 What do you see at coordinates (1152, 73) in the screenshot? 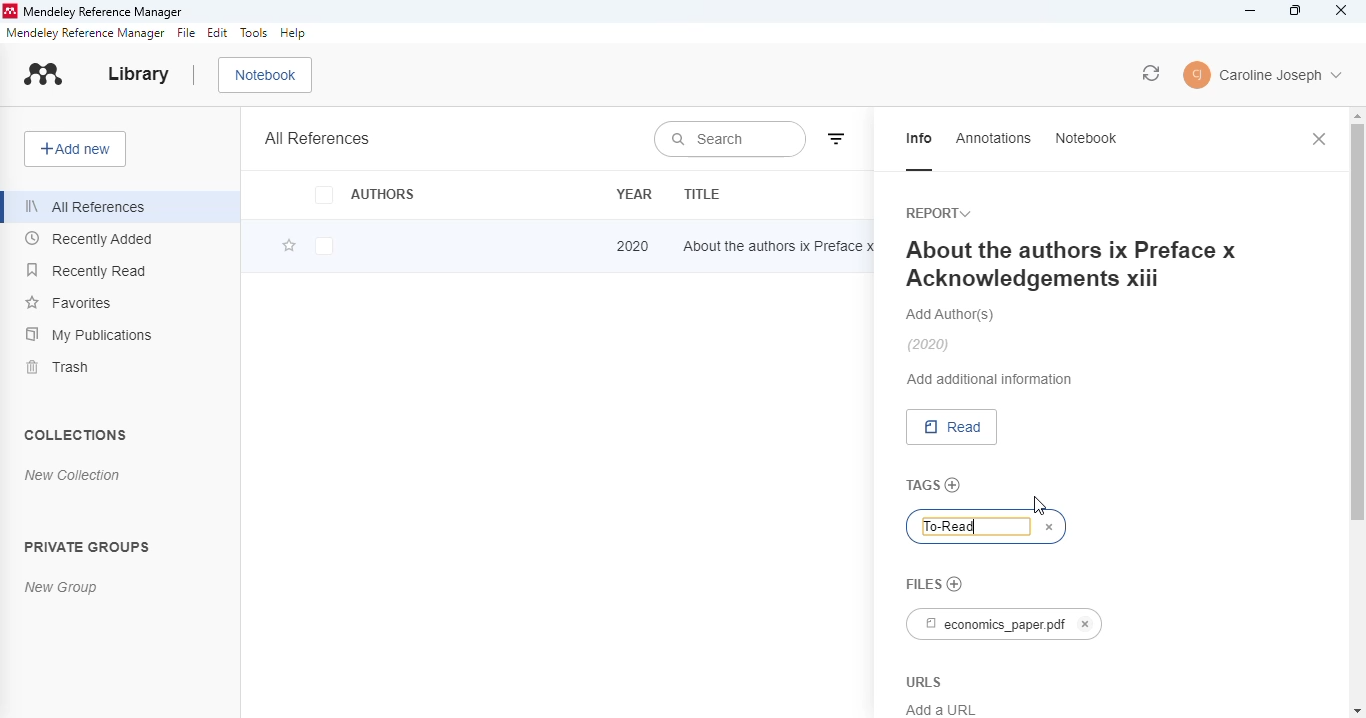
I see `sync` at bounding box center [1152, 73].